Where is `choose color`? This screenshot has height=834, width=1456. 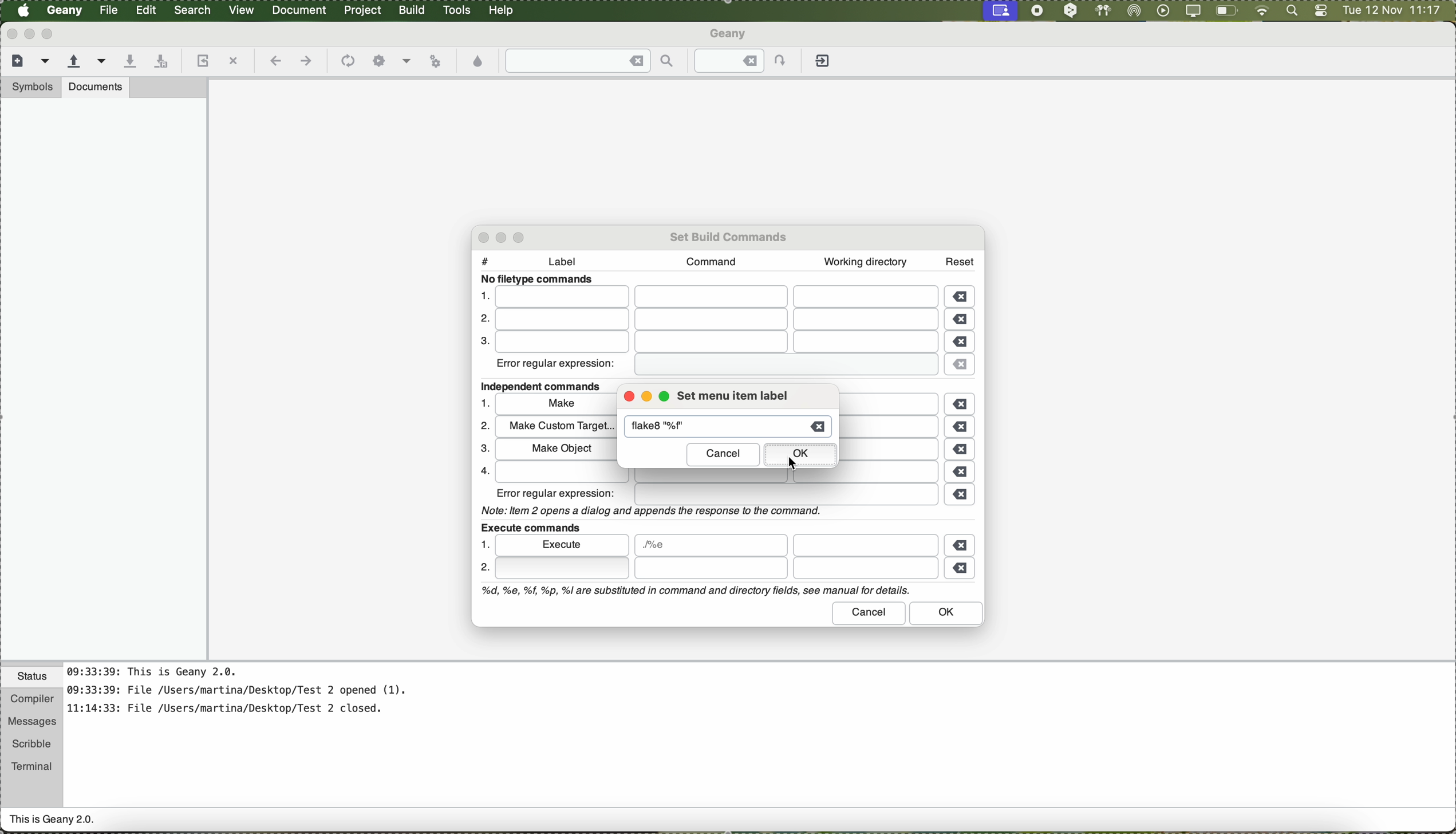
choose color is located at coordinates (479, 62).